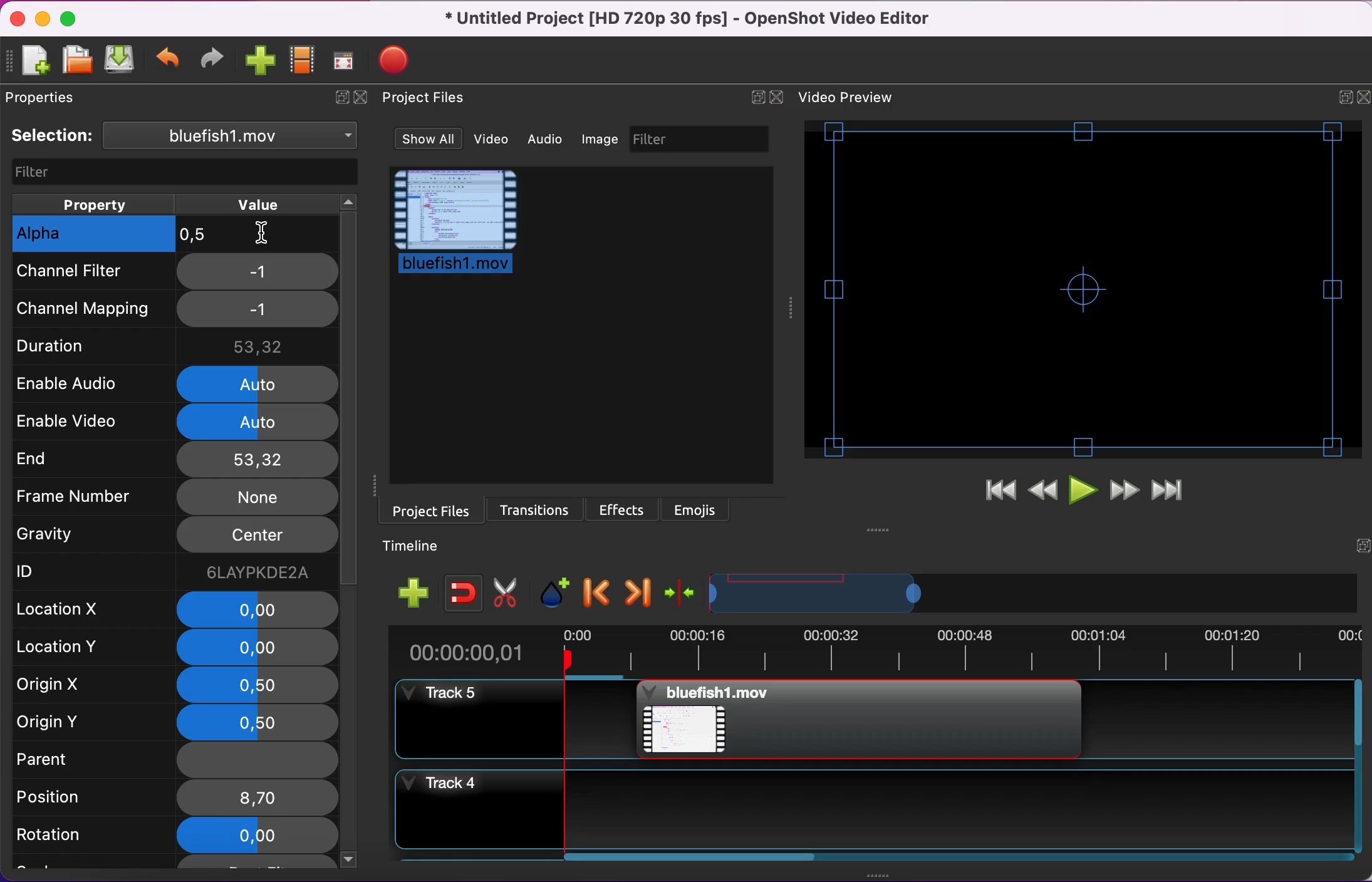 This screenshot has width=1372, height=882. Describe the element at coordinates (70, 838) in the screenshot. I see `rotation` at that location.